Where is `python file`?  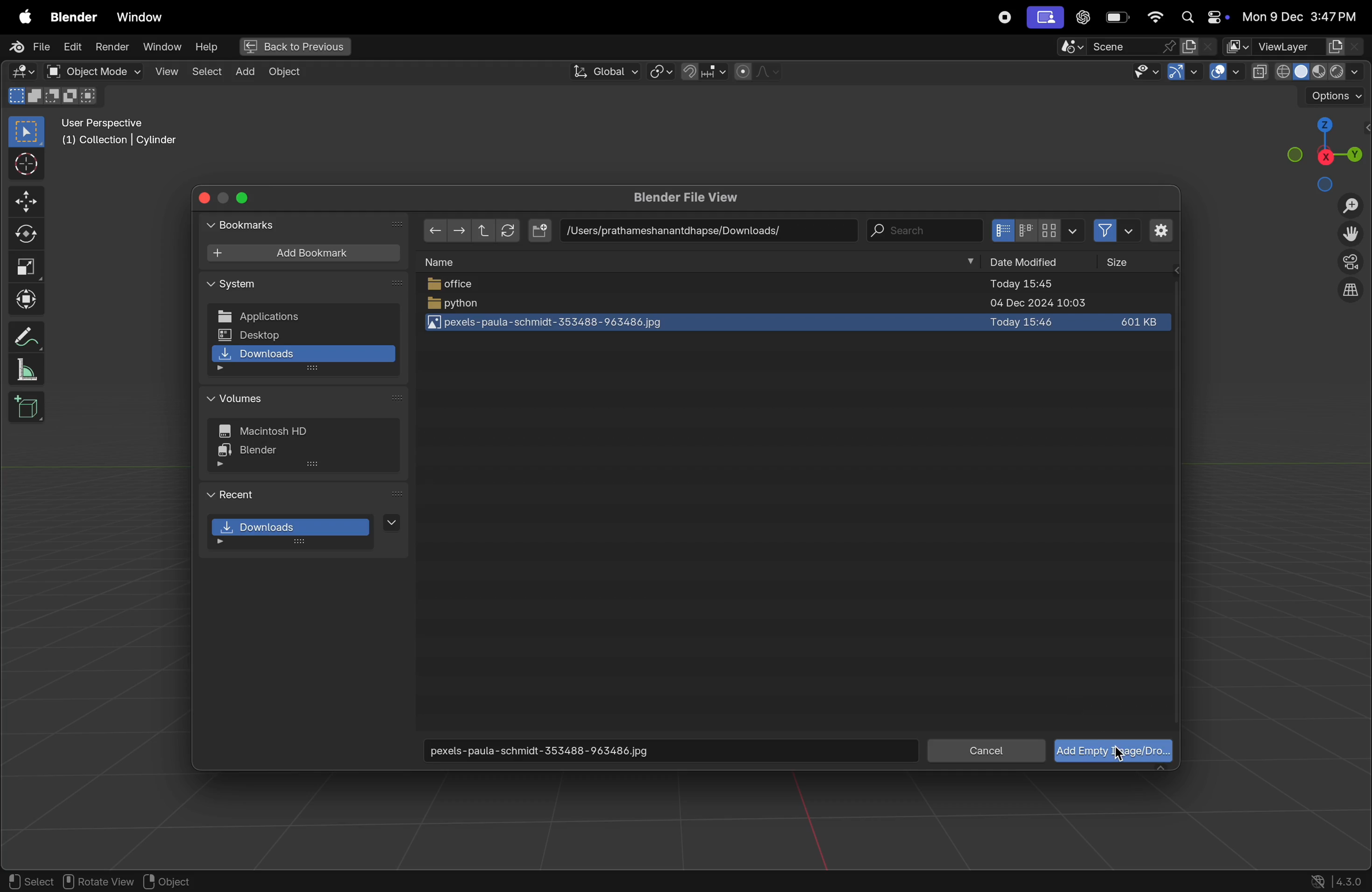 python file is located at coordinates (797, 305).